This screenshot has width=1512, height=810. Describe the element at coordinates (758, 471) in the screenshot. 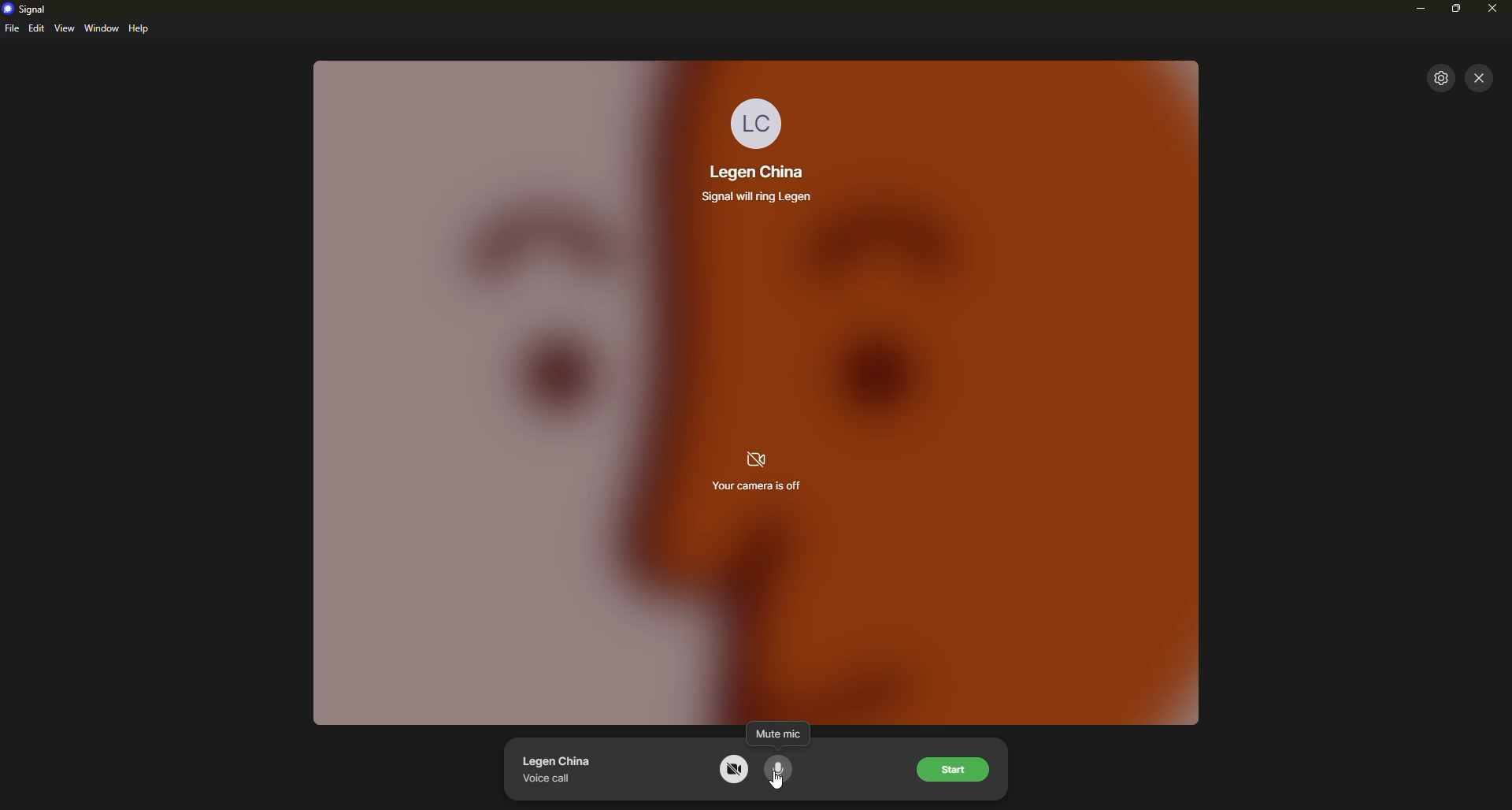

I see `camera is off` at that location.